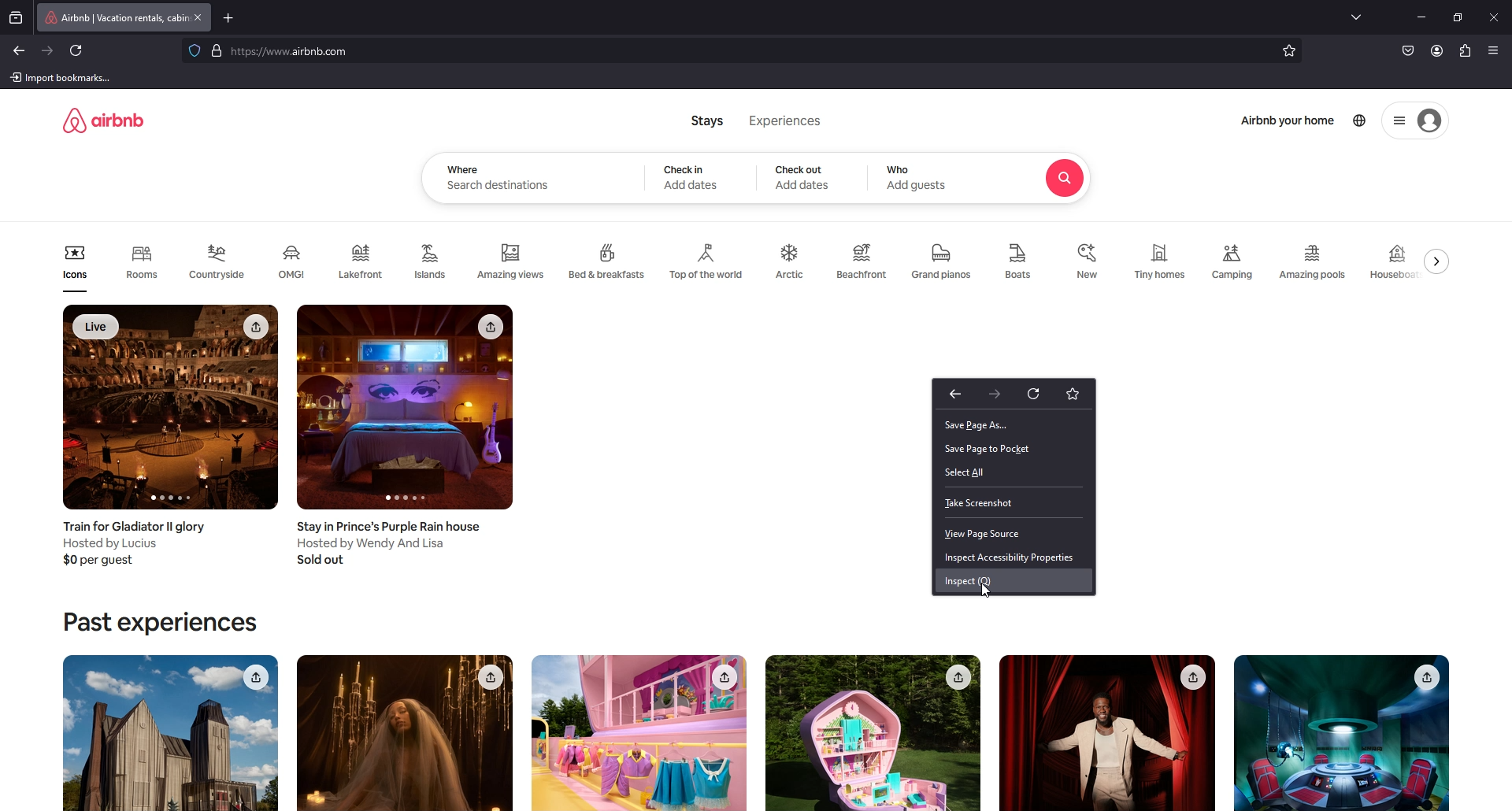  What do you see at coordinates (1315, 262) in the screenshot?
I see `amazing pools` at bounding box center [1315, 262].